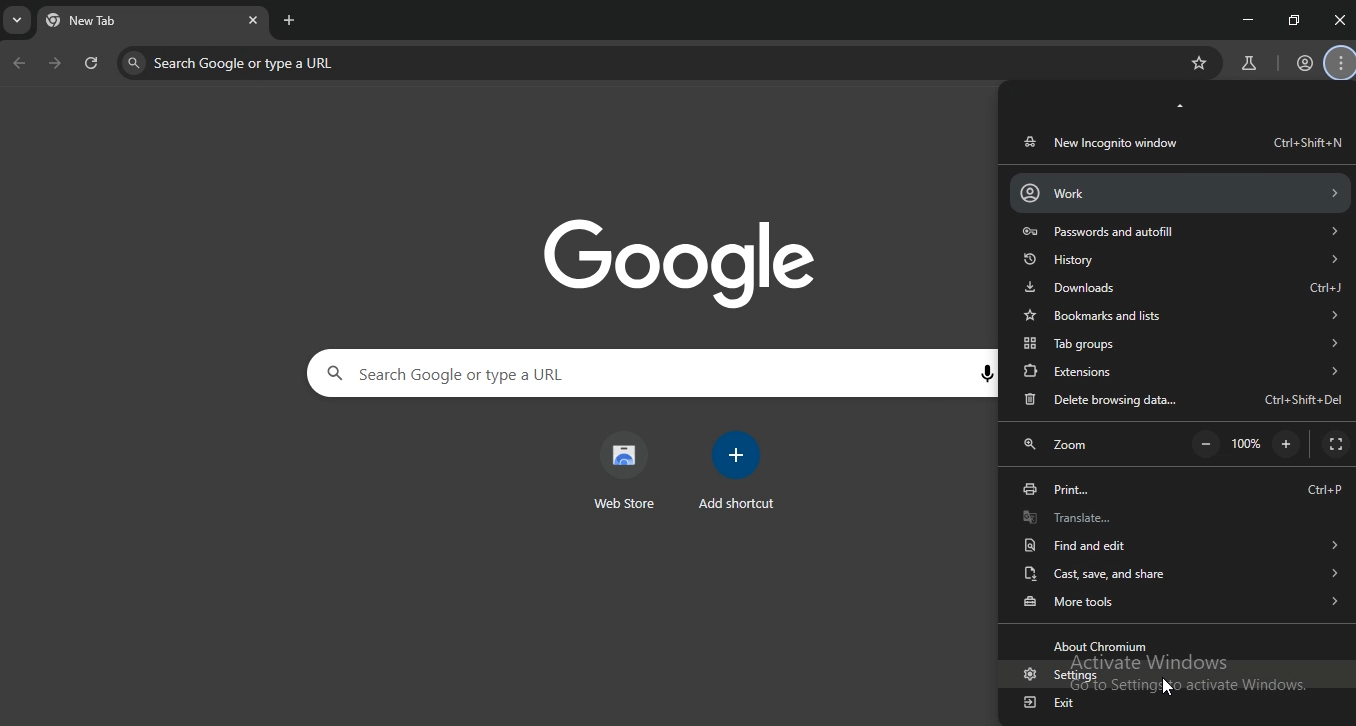 The height and width of the screenshot is (726, 1356). Describe the element at coordinates (56, 65) in the screenshot. I see `next page` at that location.